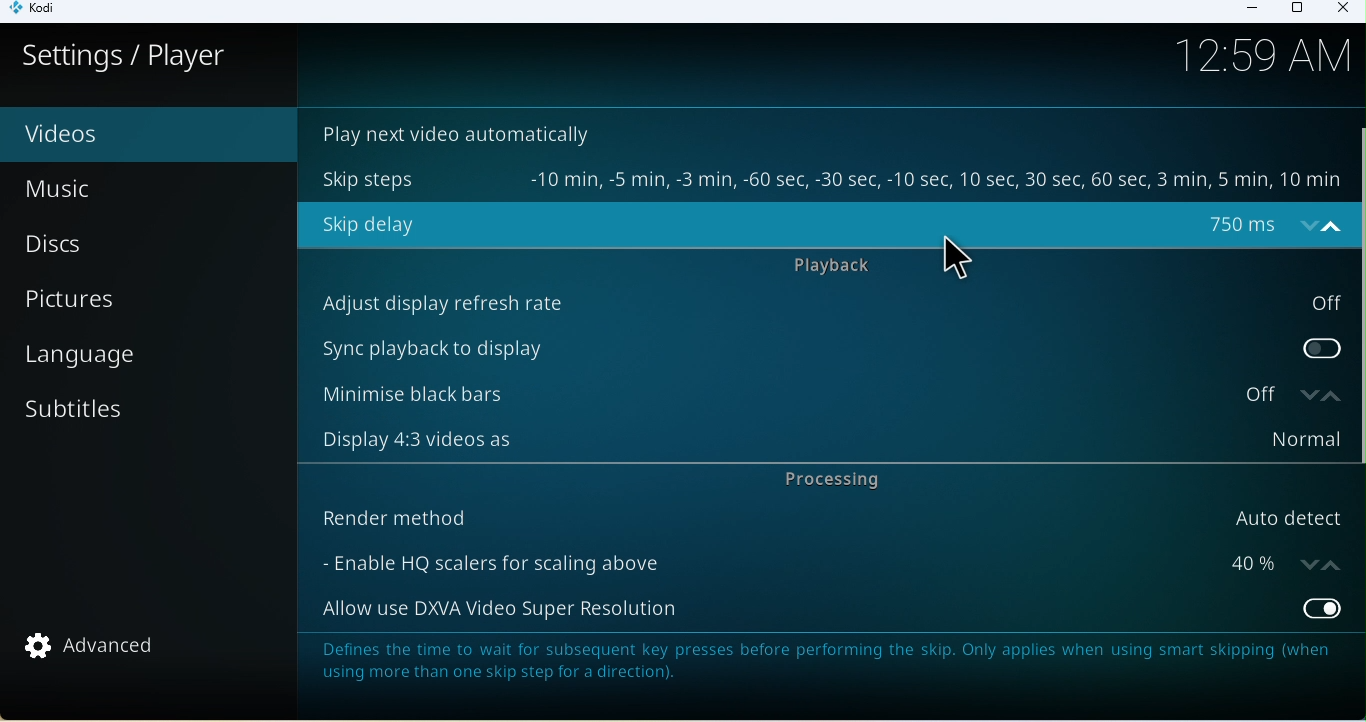  Describe the element at coordinates (828, 179) in the screenshot. I see `Skip steps` at that location.